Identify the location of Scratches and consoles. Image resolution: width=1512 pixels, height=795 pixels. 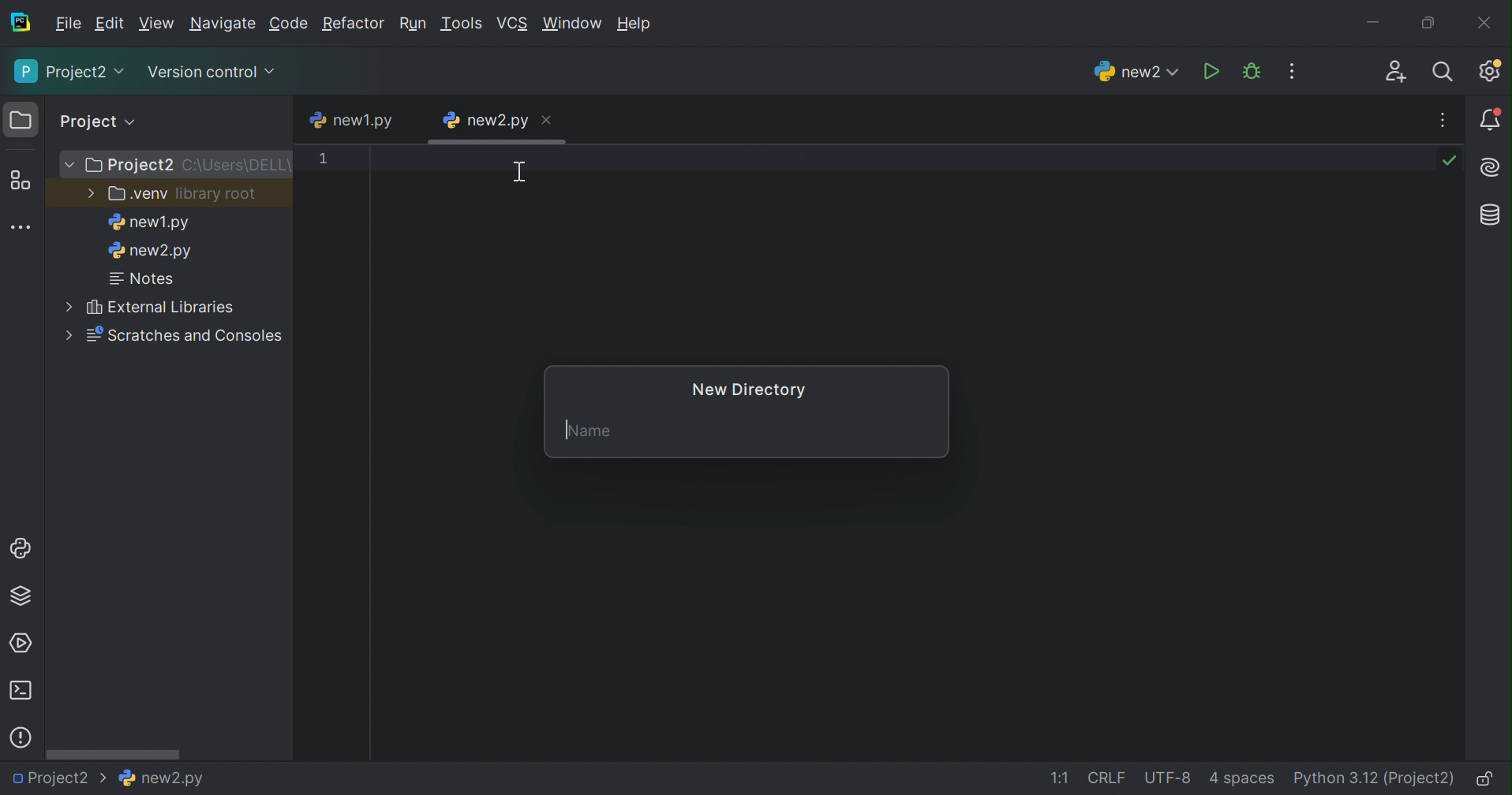
(190, 336).